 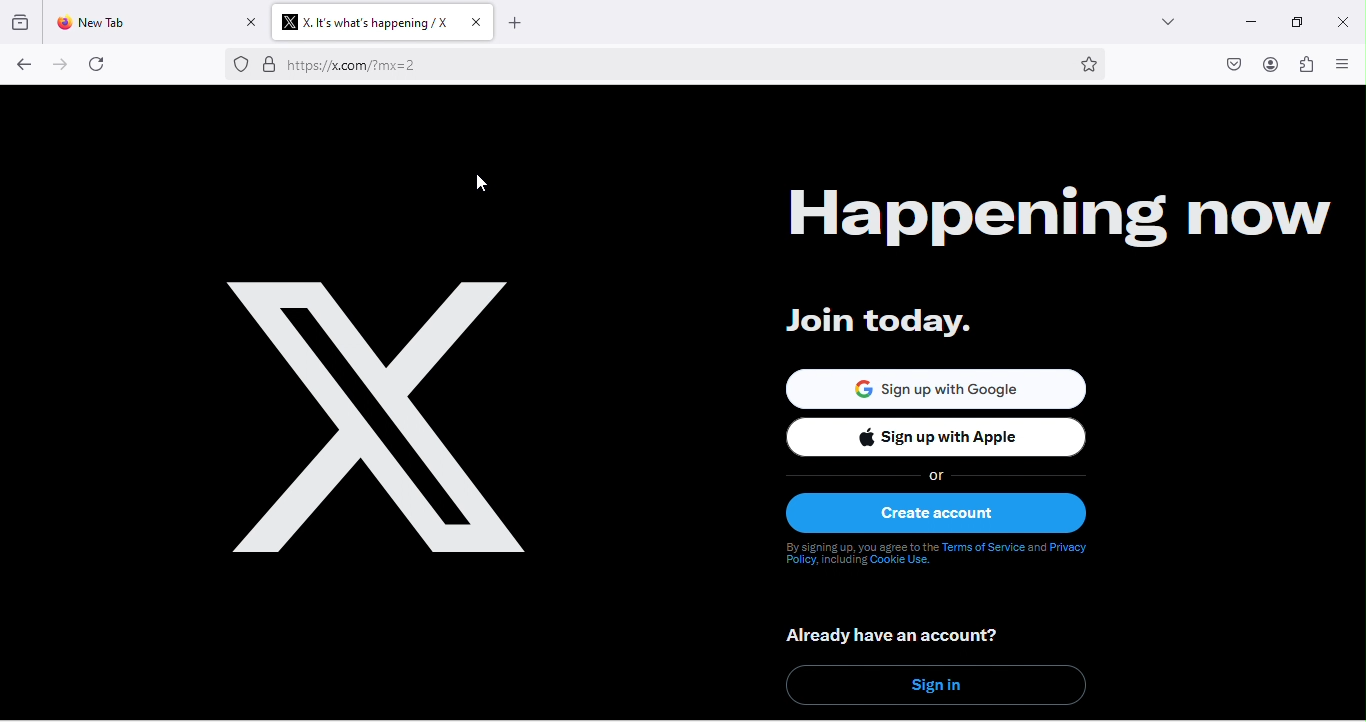 What do you see at coordinates (1341, 22) in the screenshot?
I see `close` at bounding box center [1341, 22].